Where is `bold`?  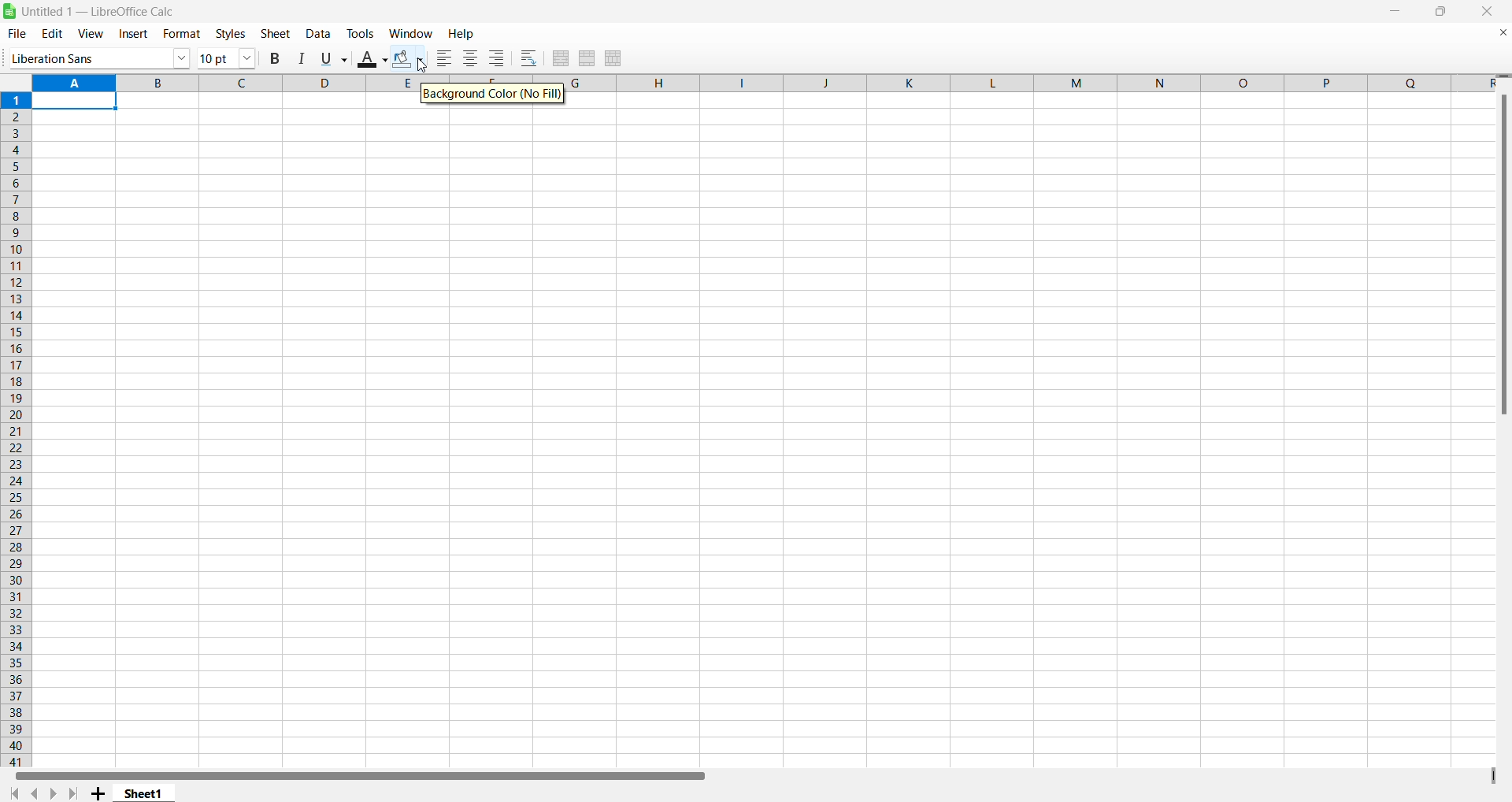 bold is located at coordinates (276, 56).